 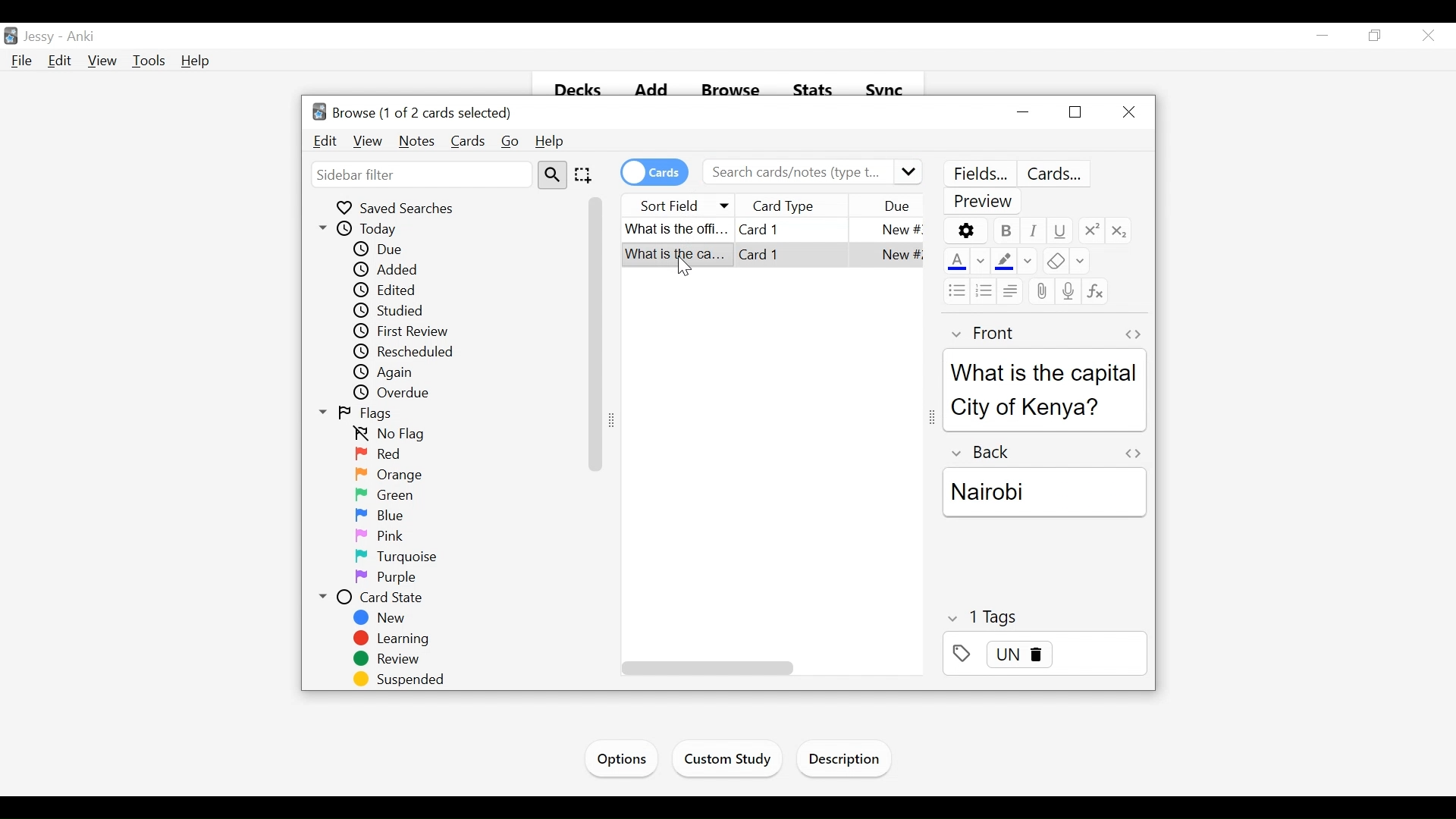 What do you see at coordinates (586, 174) in the screenshot?
I see `` at bounding box center [586, 174].